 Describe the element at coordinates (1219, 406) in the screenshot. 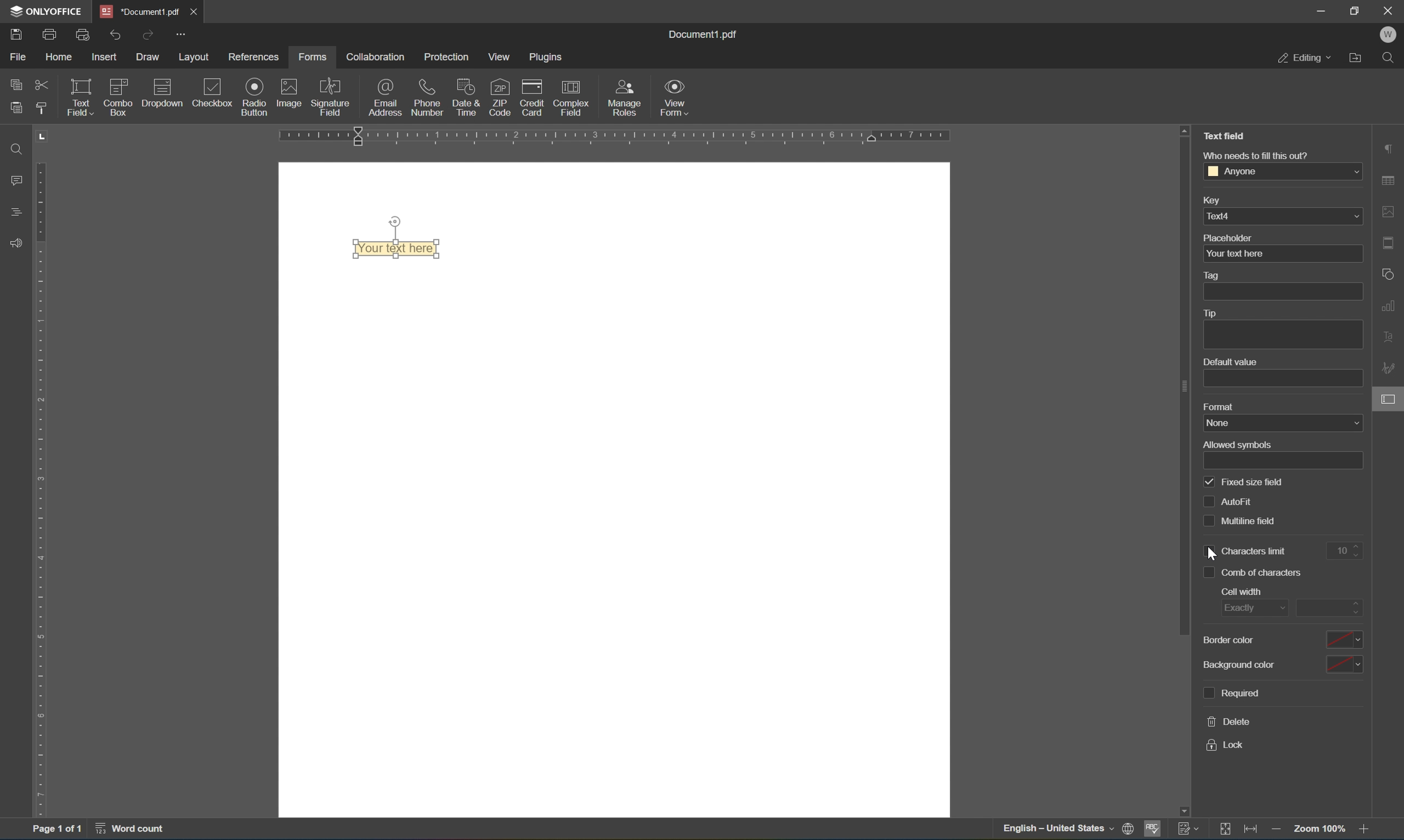

I see `format` at that location.